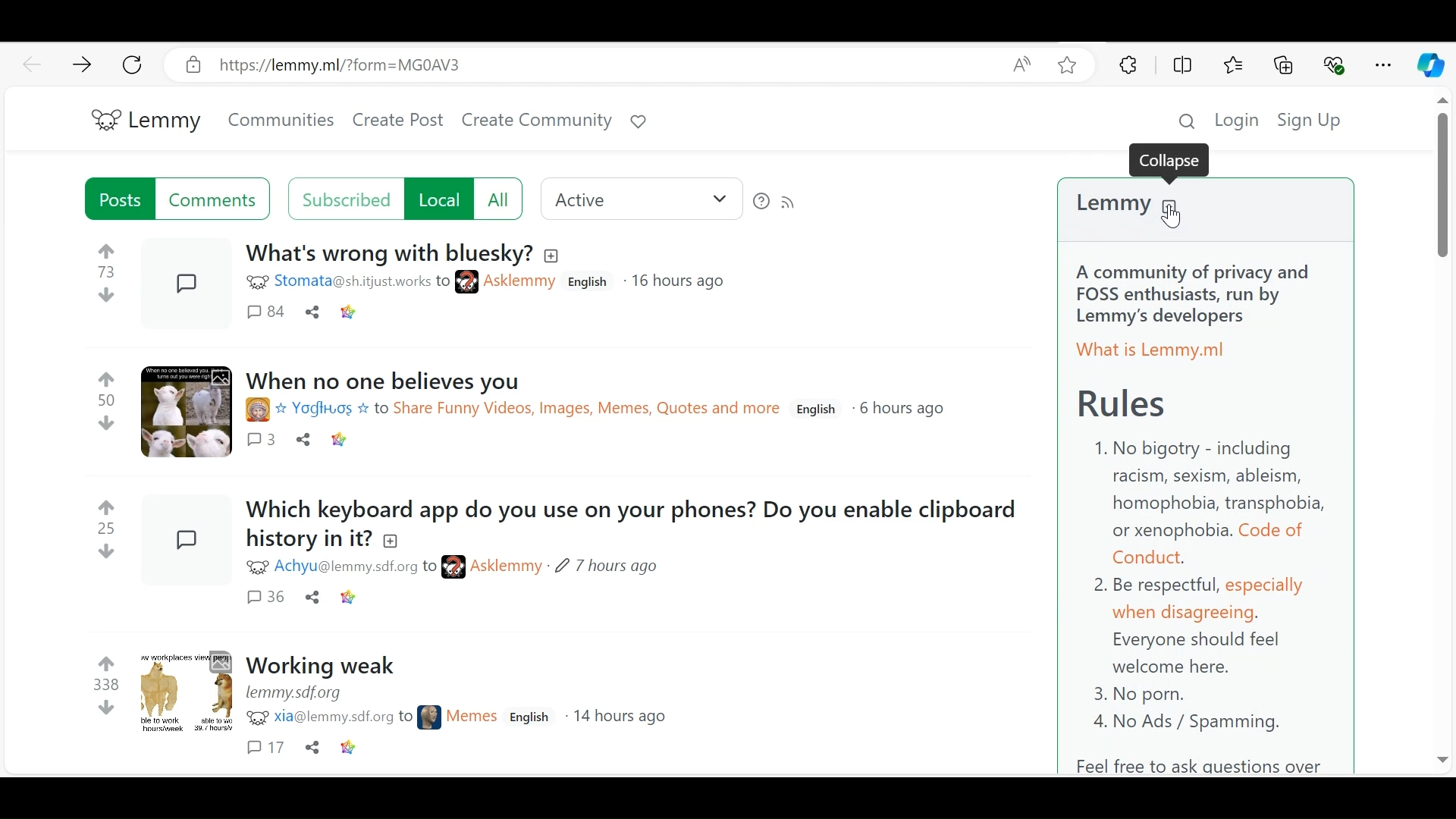 This screenshot has width=1456, height=819. What do you see at coordinates (265, 311) in the screenshot?
I see `comments` at bounding box center [265, 311].